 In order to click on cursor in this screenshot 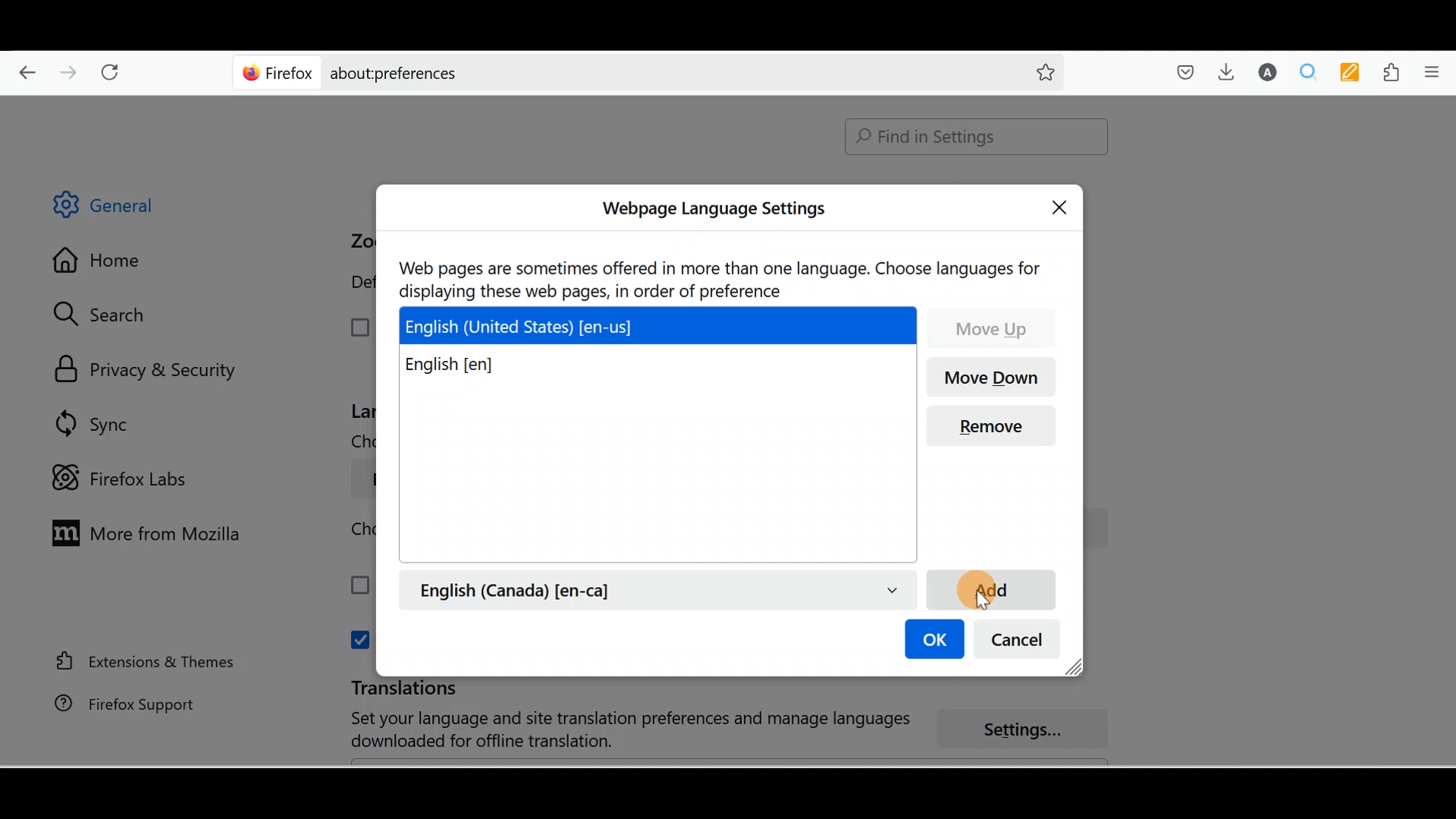, I will do `click(993, 595)`.